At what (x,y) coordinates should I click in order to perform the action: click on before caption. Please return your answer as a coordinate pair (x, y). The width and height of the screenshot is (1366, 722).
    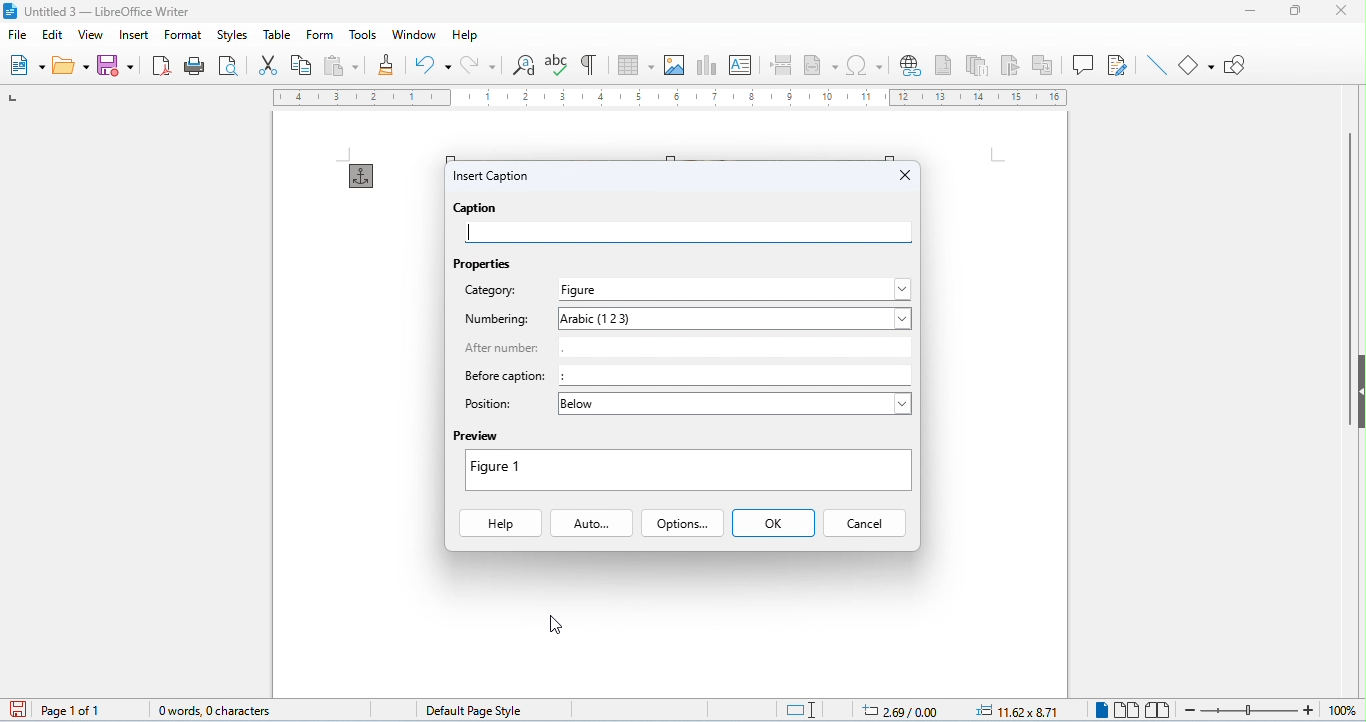
    Looking at the image, I should click on (506, 376).